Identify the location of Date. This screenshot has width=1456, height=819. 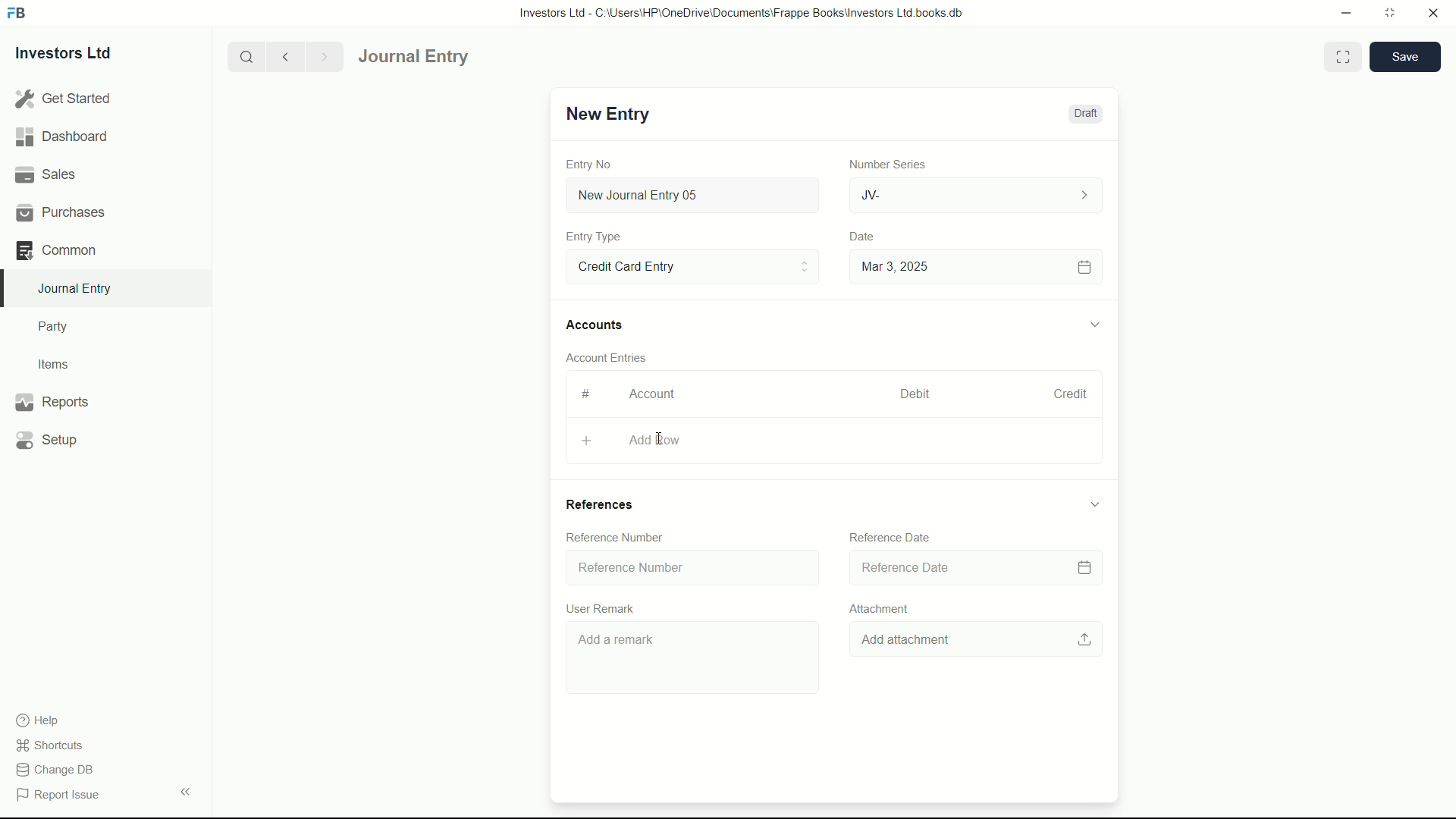
(864, 237).